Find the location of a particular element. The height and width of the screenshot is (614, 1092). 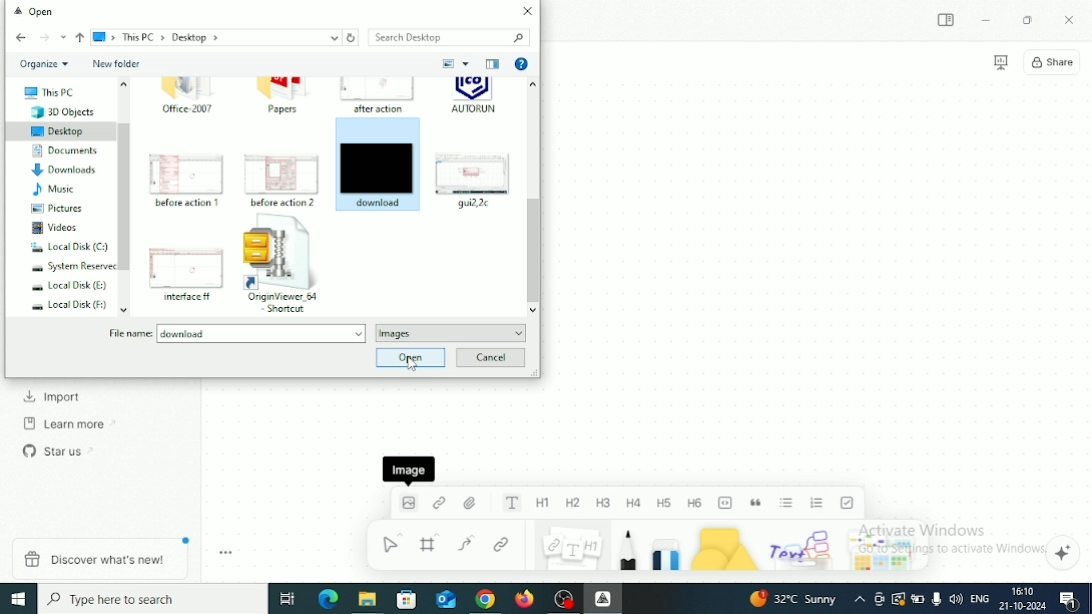

Heading 5 is located at coordinates (665, 503).